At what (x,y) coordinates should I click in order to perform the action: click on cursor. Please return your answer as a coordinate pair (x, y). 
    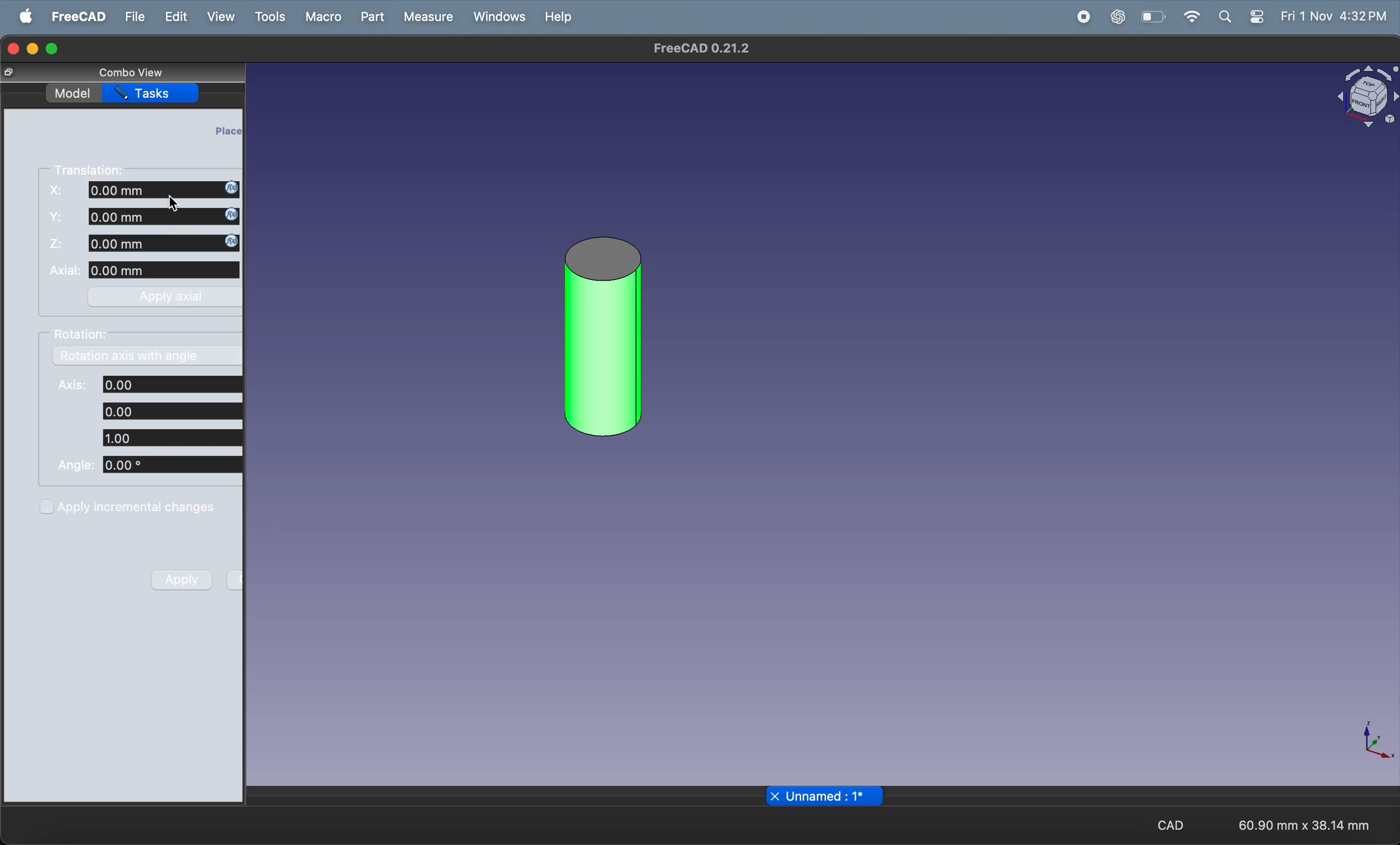
    Looking at the image, I should click on (177, 205).